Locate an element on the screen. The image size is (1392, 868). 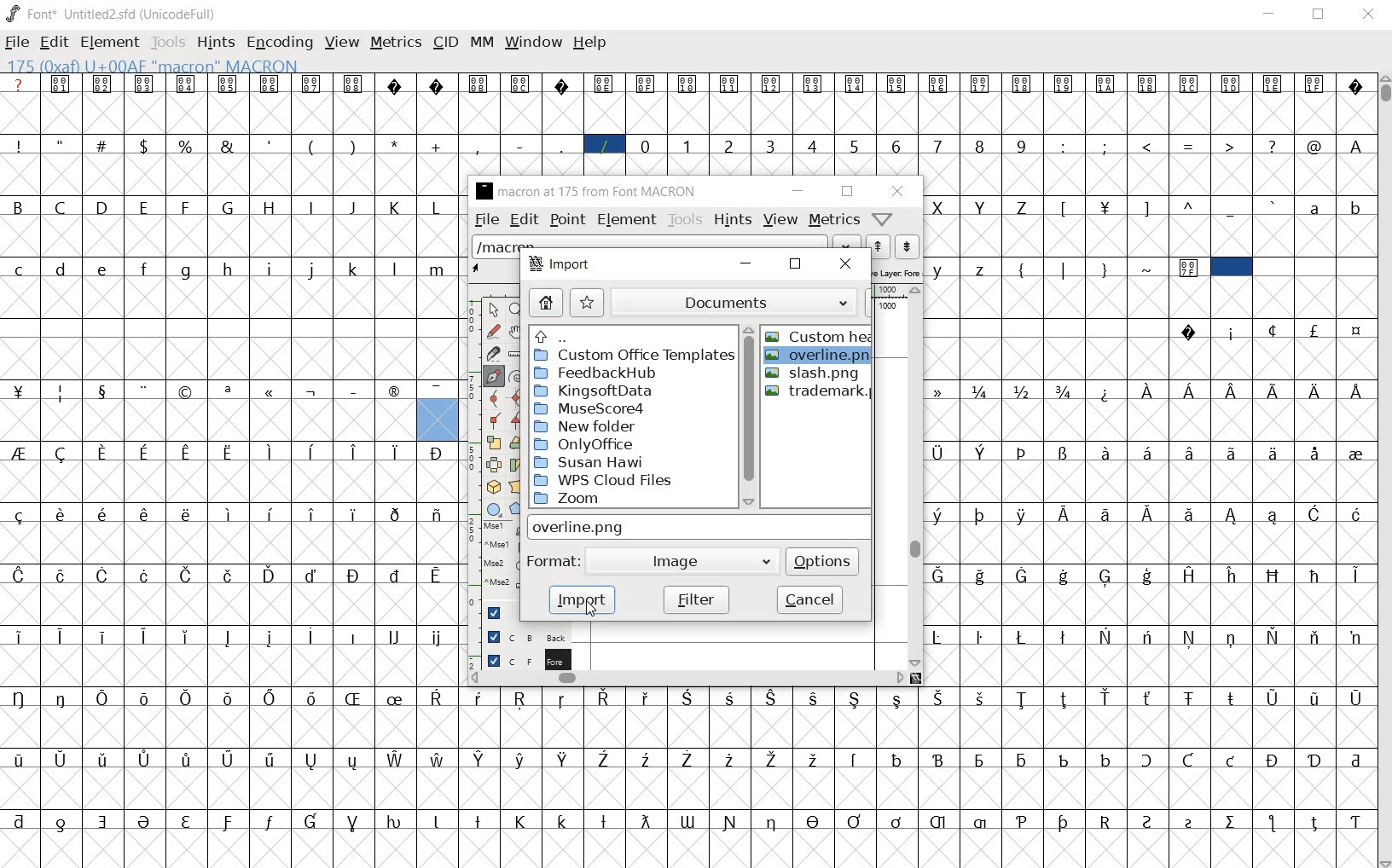
Symbol is located at coordinates (855, 700).